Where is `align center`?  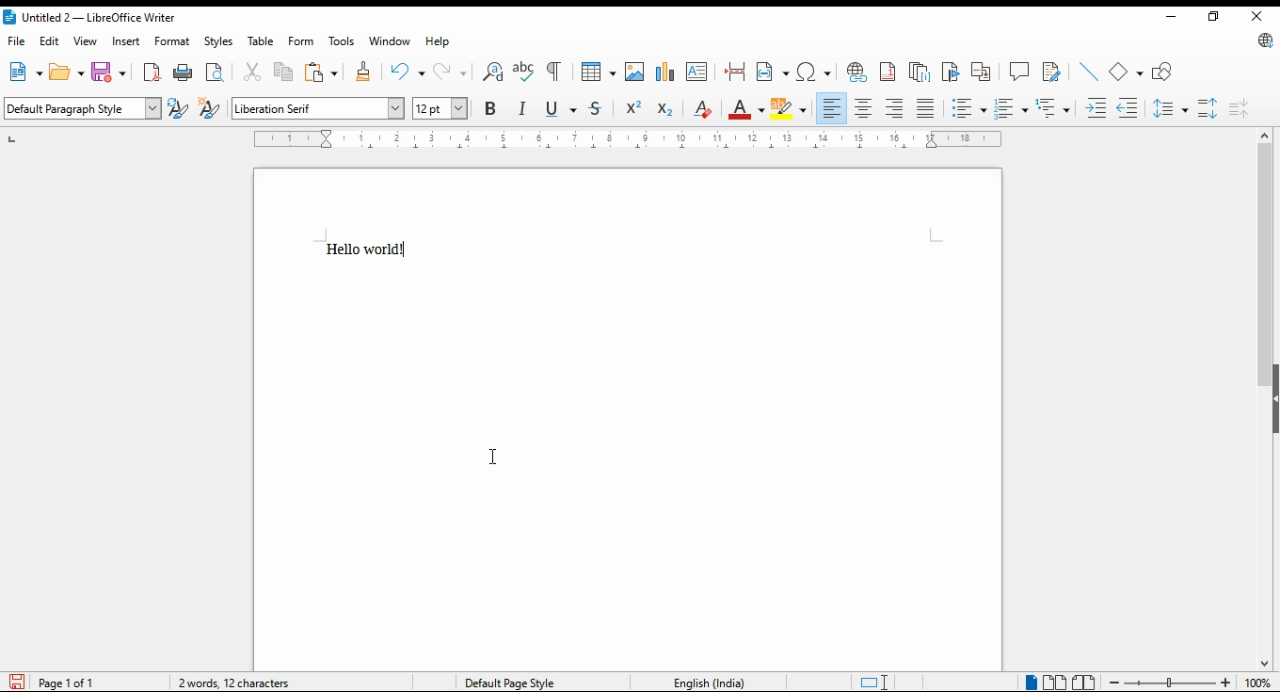
align center is located at coordinates (865, 108).